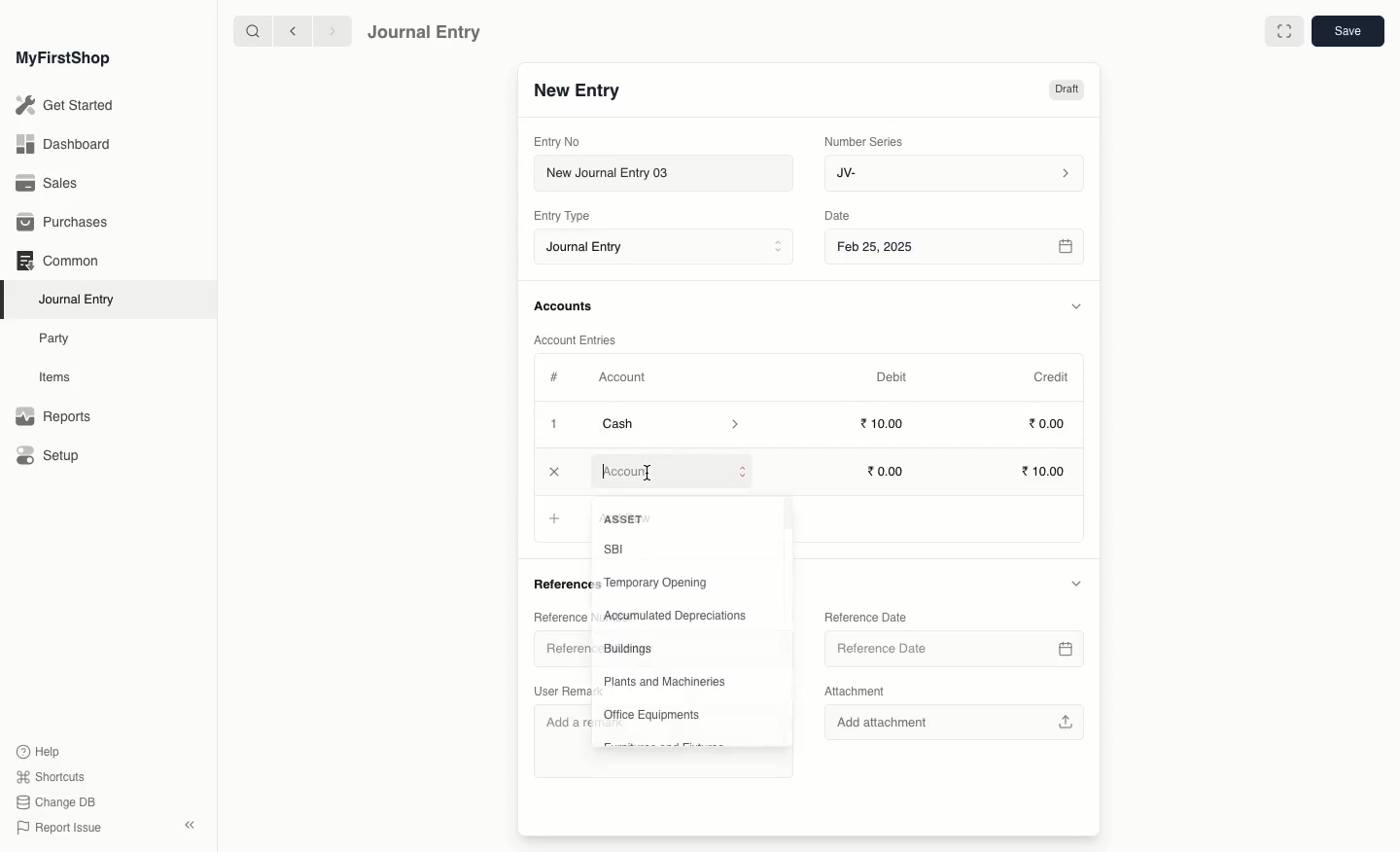 The width and height of the screenshot is (1400, 852). Describe the element at coordinates (1347, 32) in the screenshot. I see `save` at that location.